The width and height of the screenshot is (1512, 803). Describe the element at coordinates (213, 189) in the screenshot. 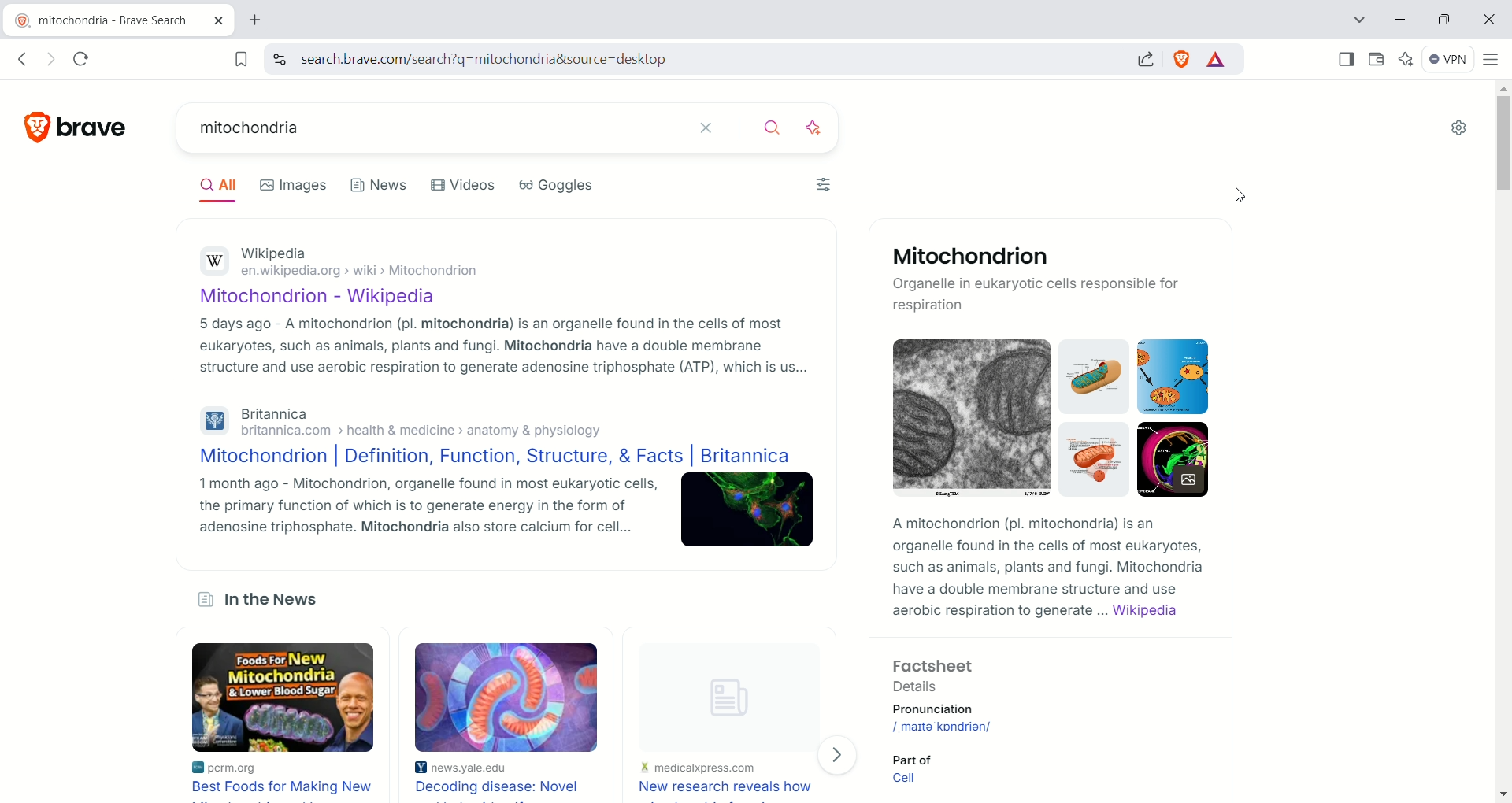

I see `All` at that location.